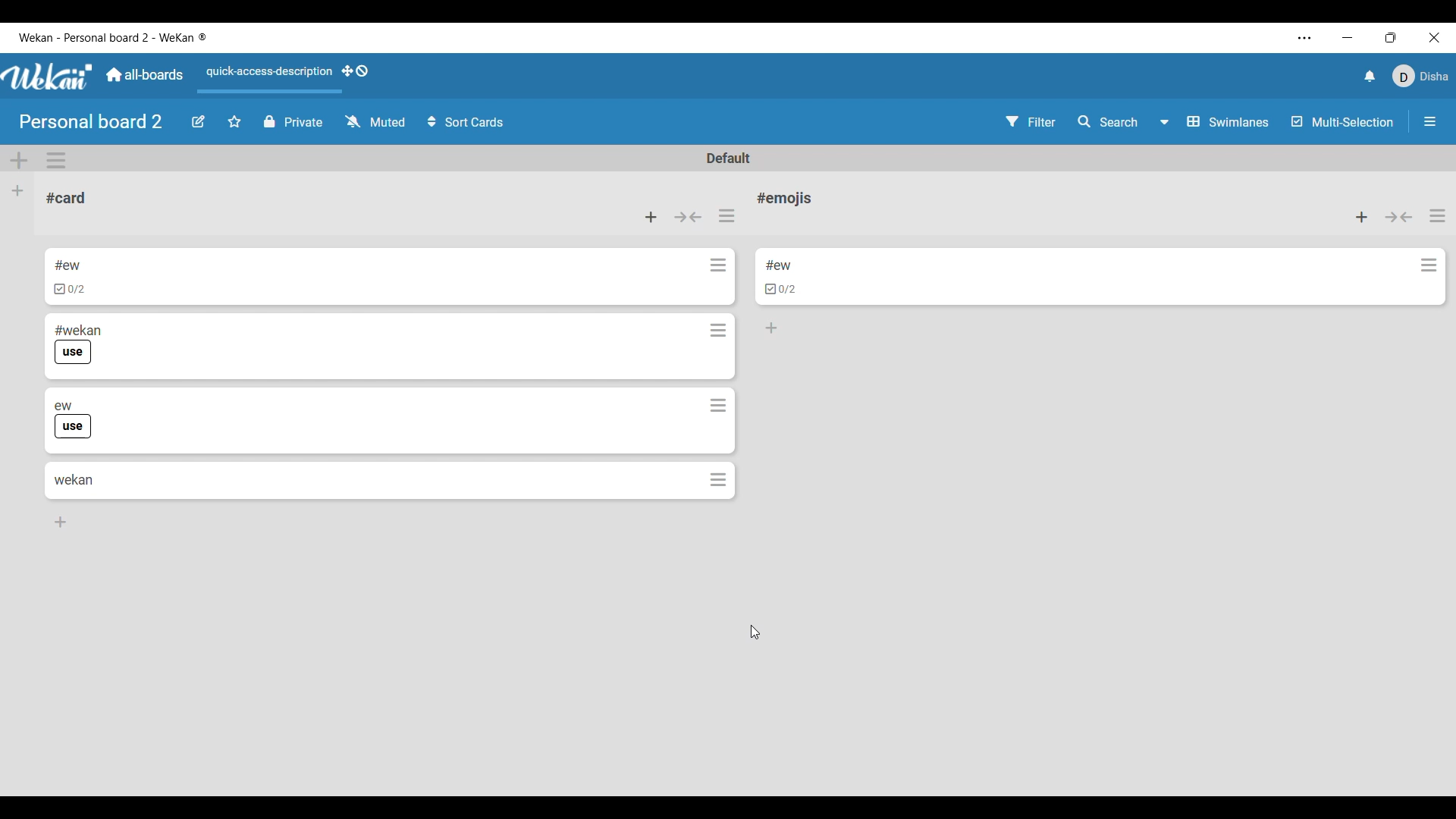 The width and height of the screenshot is (1456, 819). I want to click on Card 4, so click(74, 479).